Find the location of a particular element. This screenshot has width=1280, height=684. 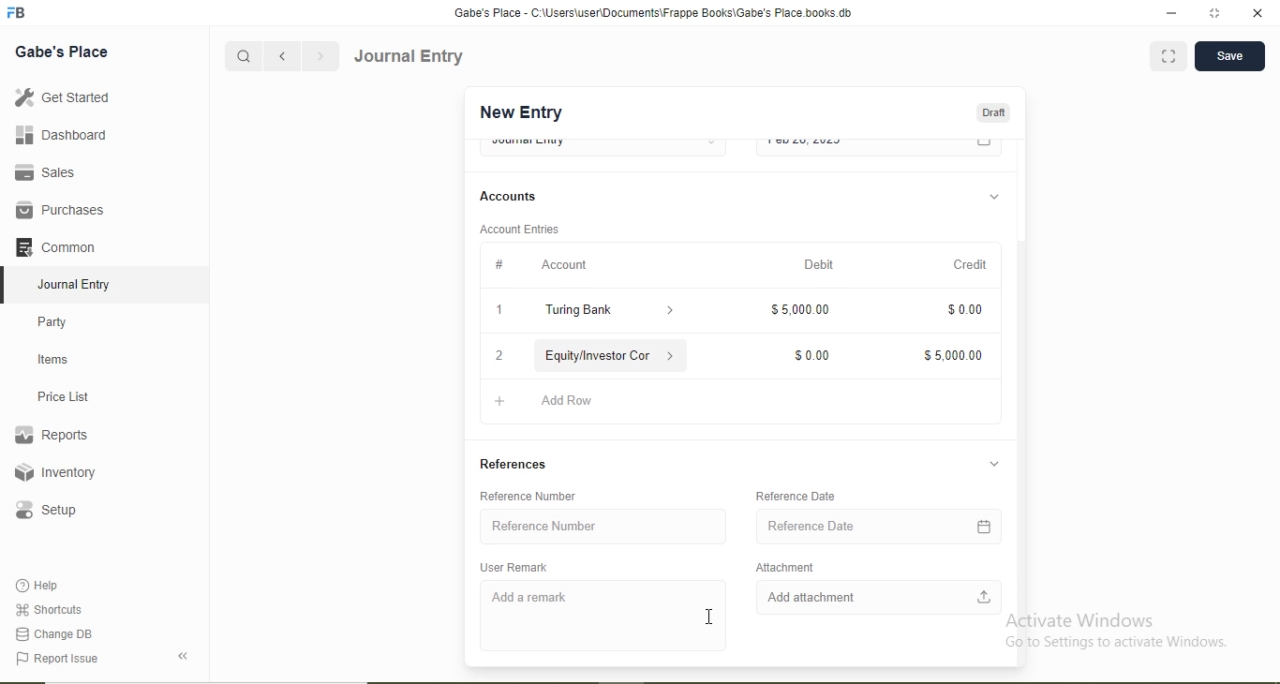

$5,000.00 is located at coordinates (952, 356).